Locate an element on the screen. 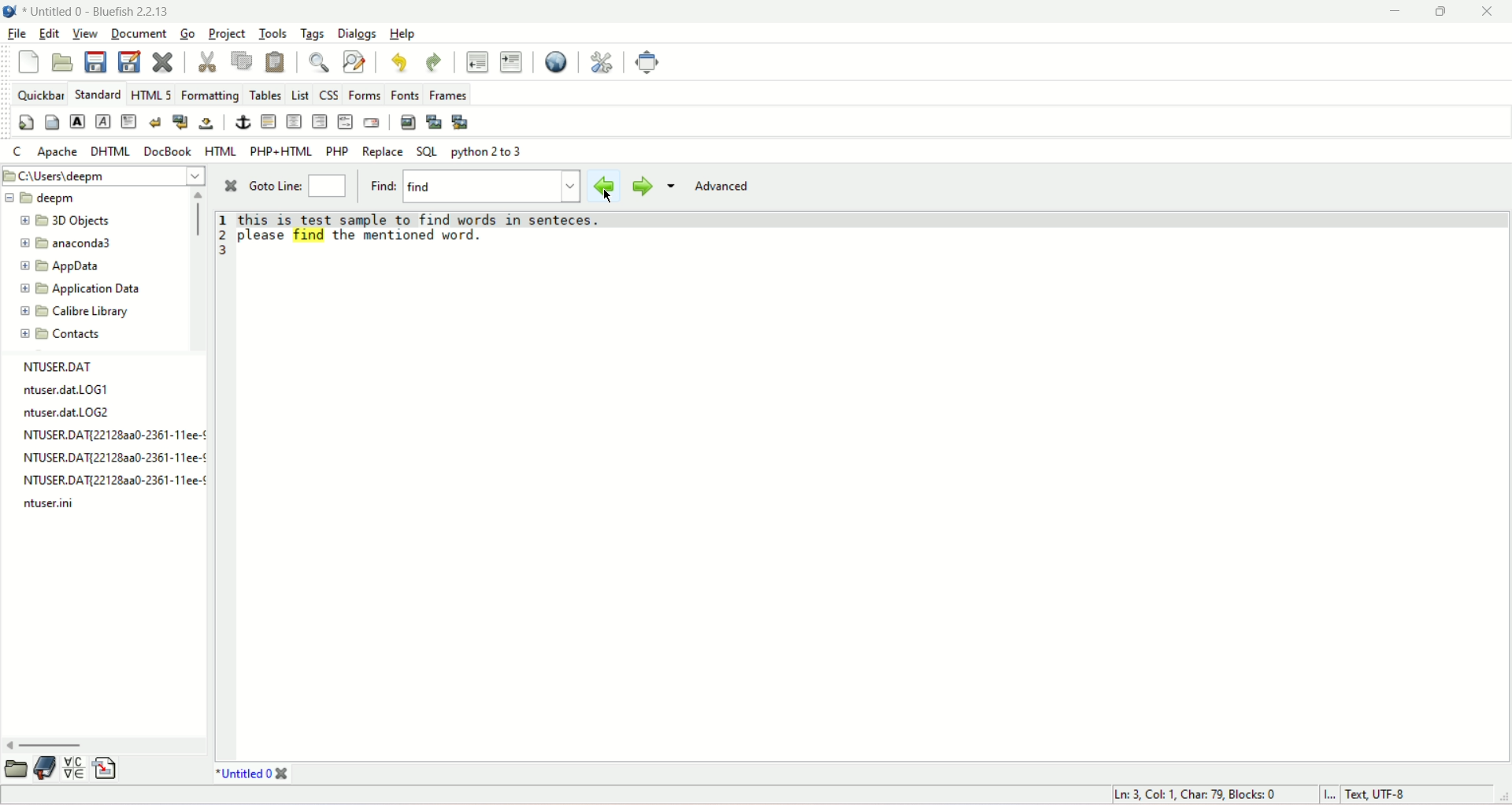 The height and width of the screenshot is (805, 1512). ntuser.dat.LOG1 is located at coordinates (63, 391).